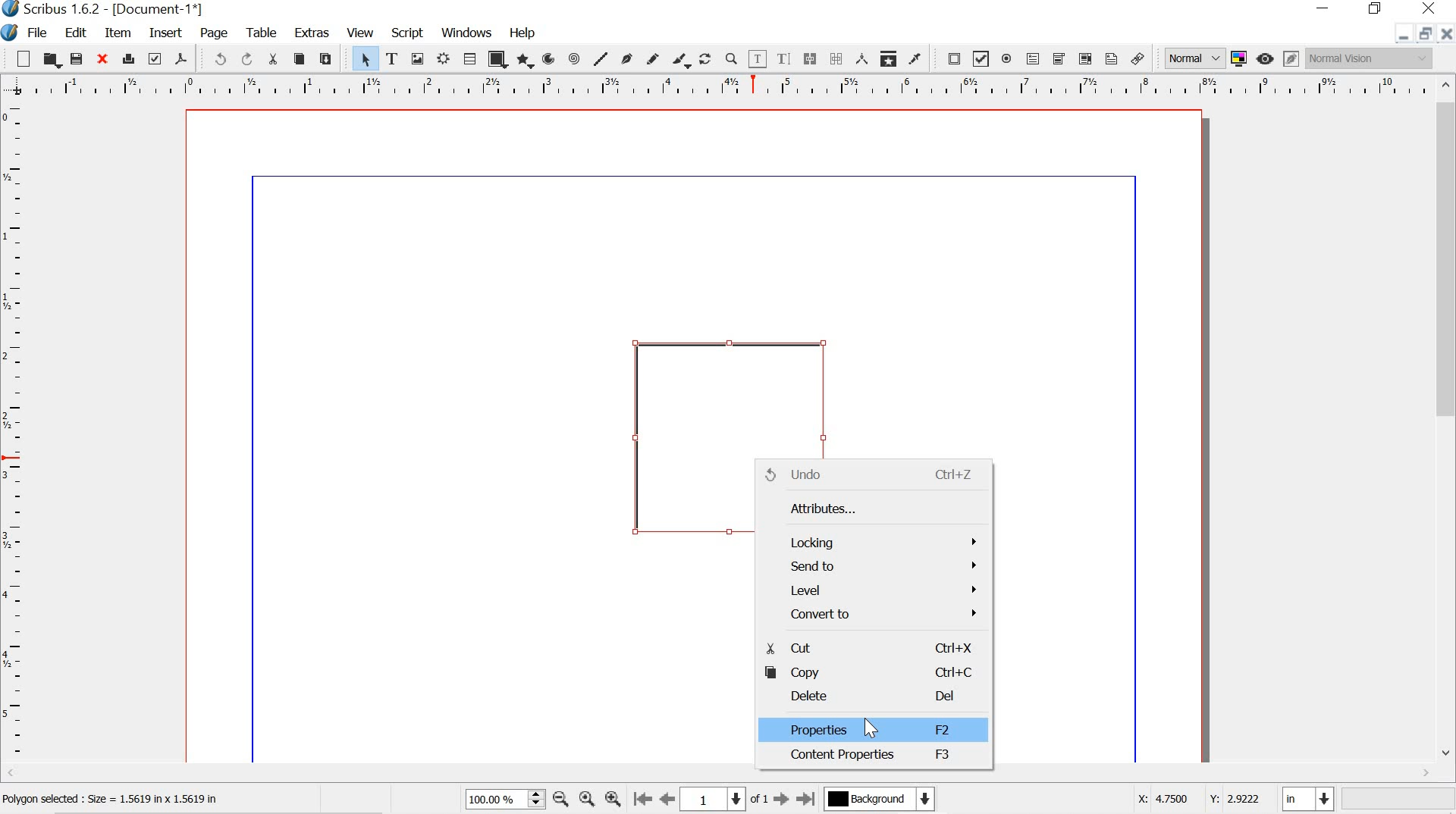 This screenshot has width=1456, height=814. Describe the element at coordinates (164, 34) in the screenshot. I see `insert` at that location.